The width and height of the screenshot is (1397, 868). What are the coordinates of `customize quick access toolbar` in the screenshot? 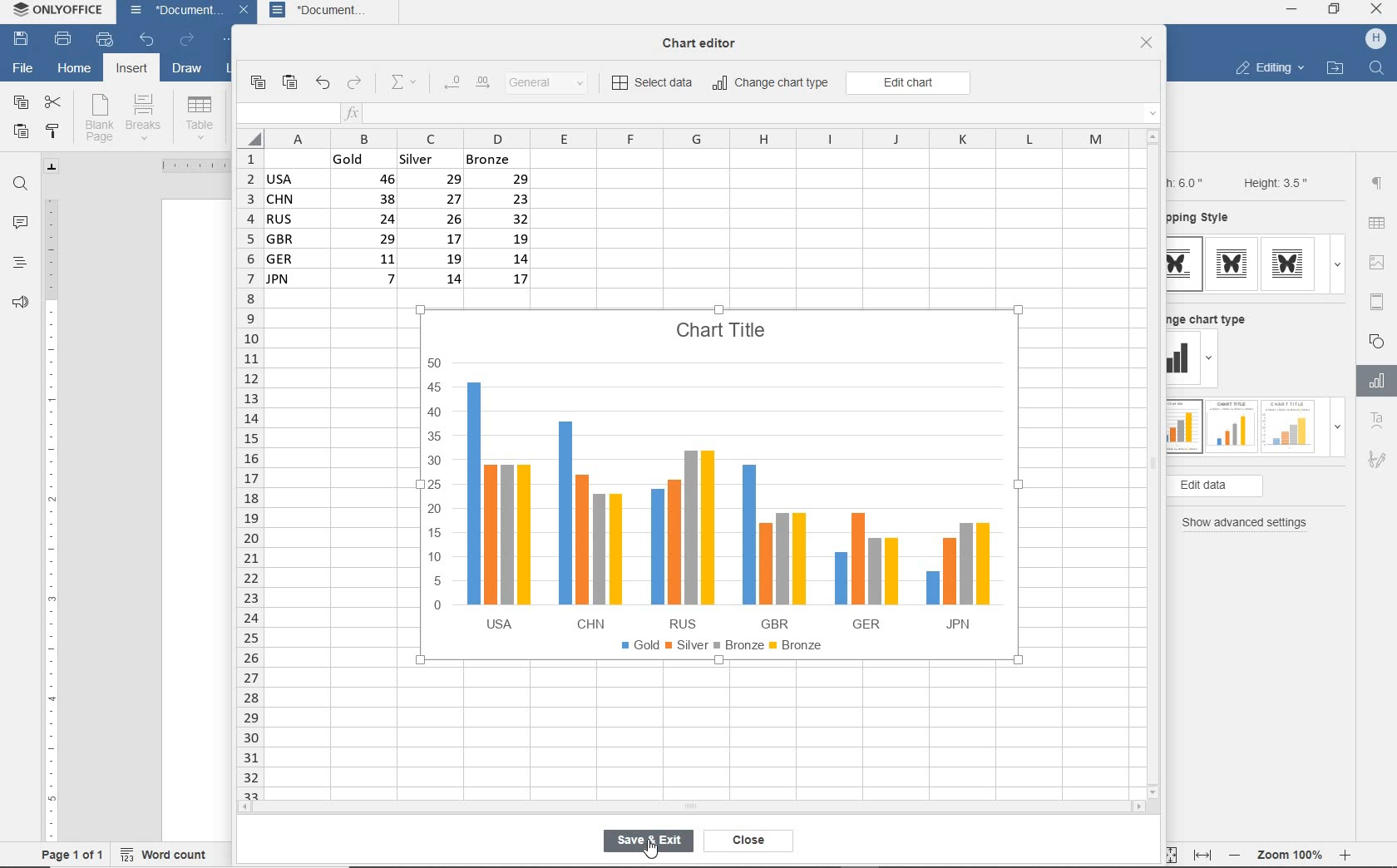 It's located at (230, 42).